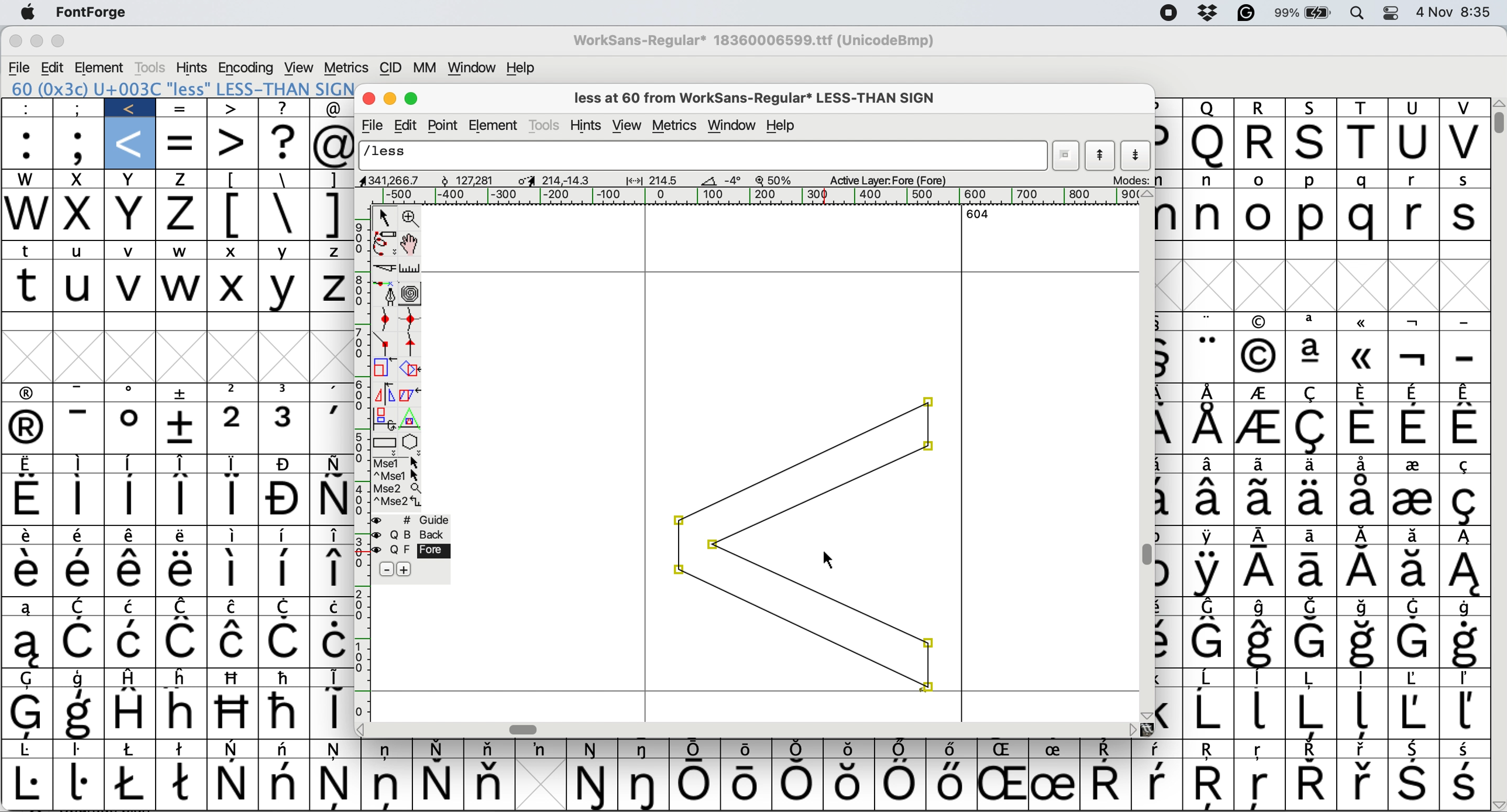 This screenshot has height=812, width=1507. What do you see at coordinates (362, 463) in the screenshot?
I see `vertical scale` at bounding box center [362, 463].